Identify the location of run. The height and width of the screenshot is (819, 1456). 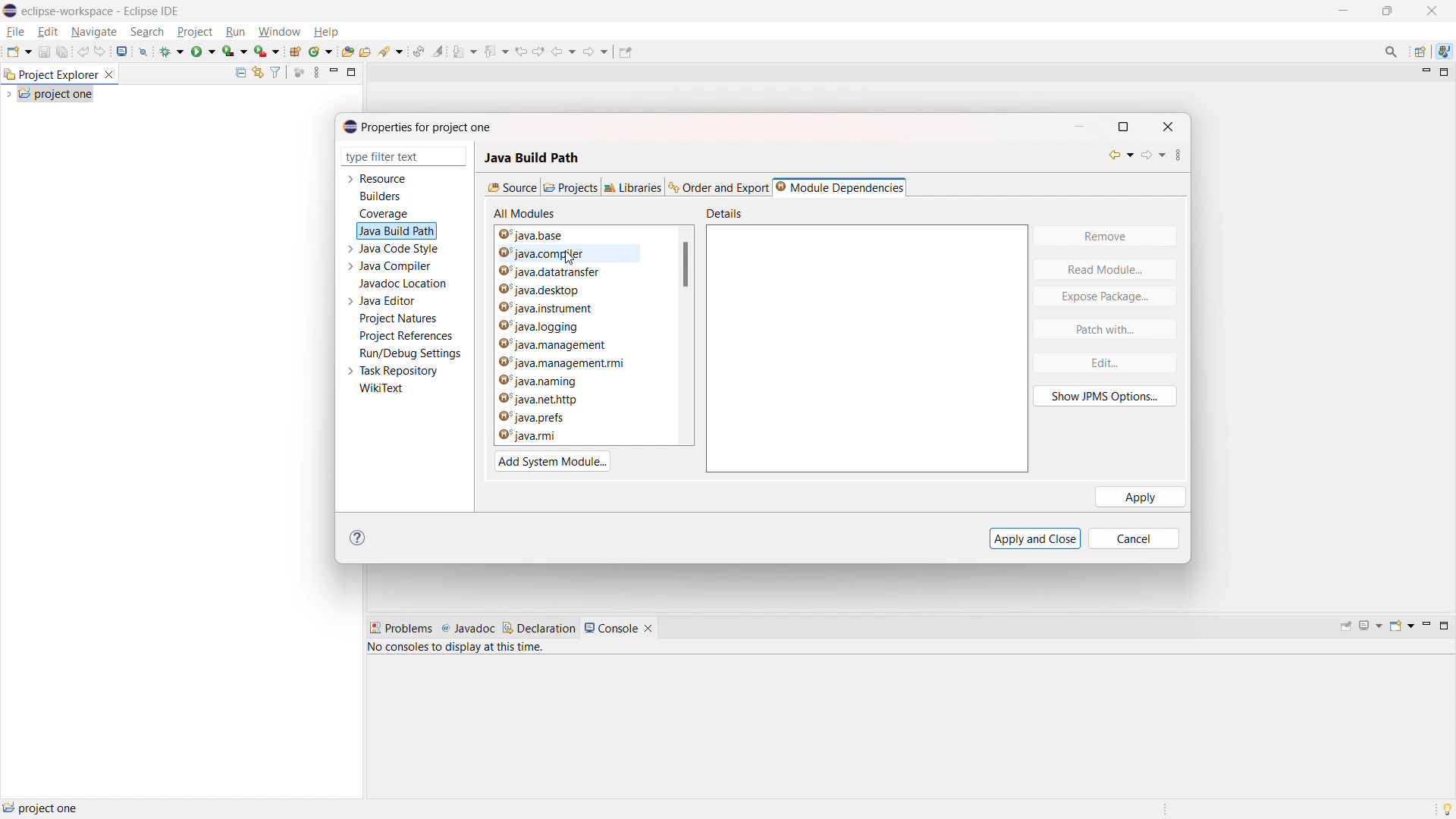
(203, 50).